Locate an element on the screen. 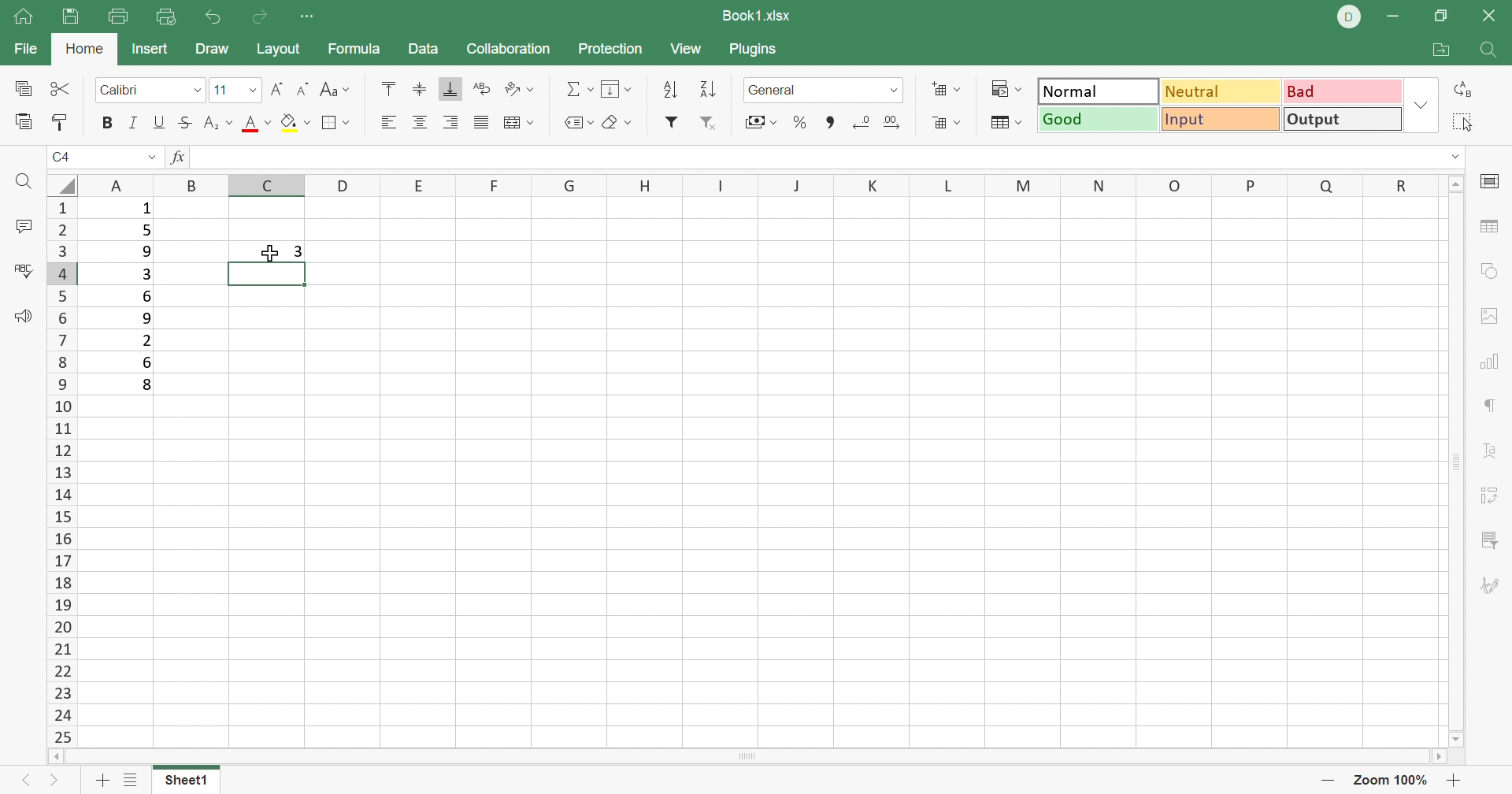  Find is located at coordinates (1494, 50).